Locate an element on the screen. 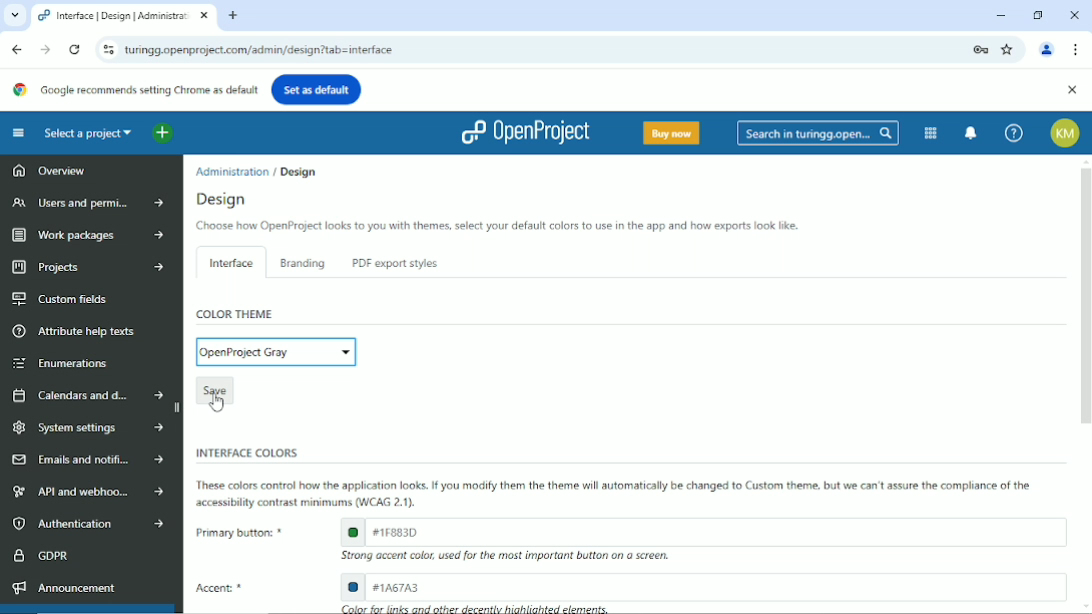 Image resolution: width=1092 pixels, height=614 pixels. Announcement is located at coordinates (63, 587).